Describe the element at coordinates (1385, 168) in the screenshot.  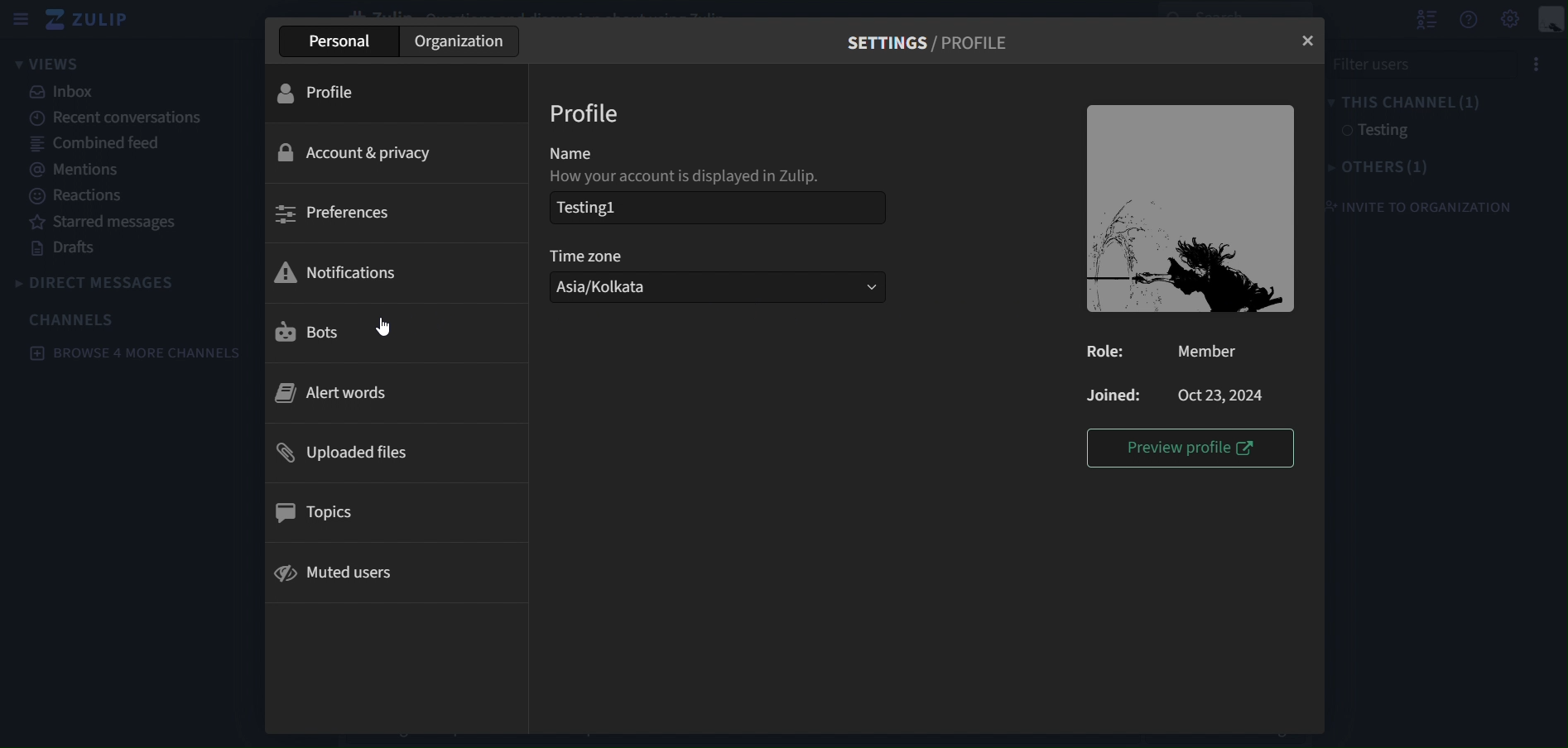
I see `others` at that location.